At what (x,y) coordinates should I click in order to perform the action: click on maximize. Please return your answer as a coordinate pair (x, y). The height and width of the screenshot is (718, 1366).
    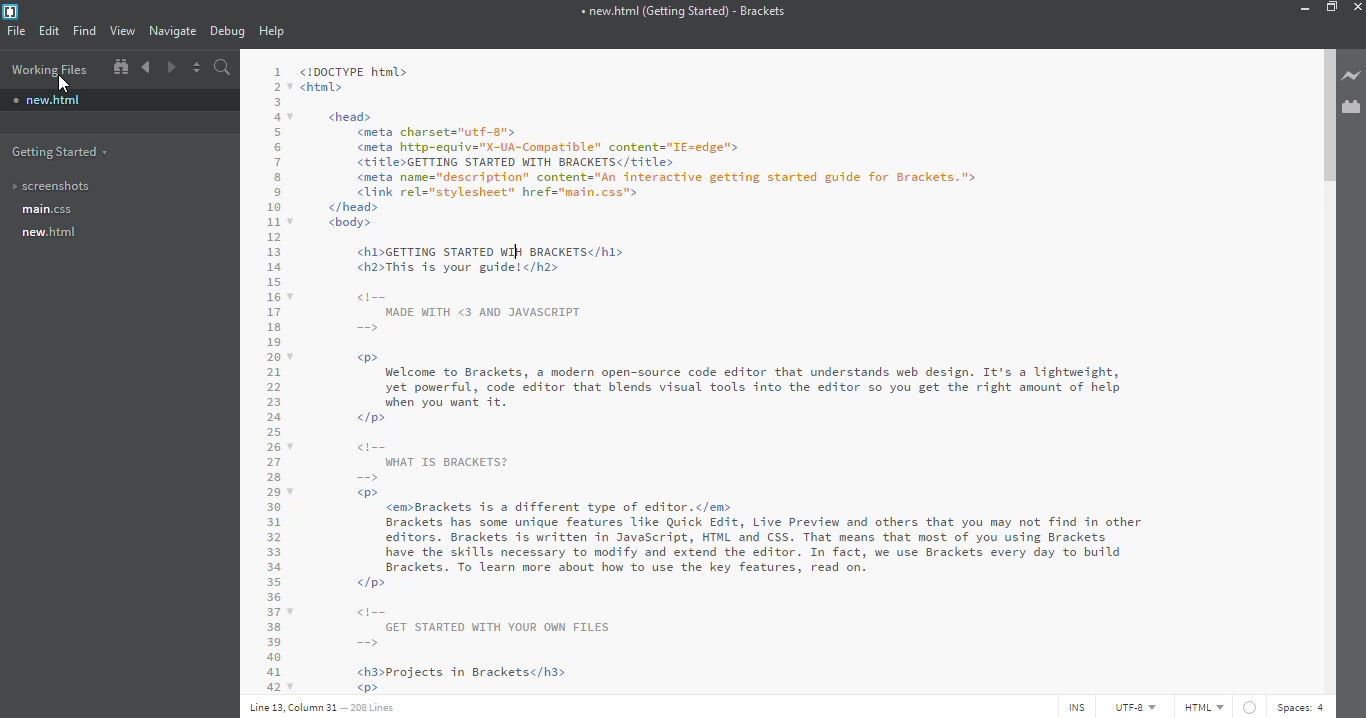
    Looking at the image, I should click on (1331, 6).